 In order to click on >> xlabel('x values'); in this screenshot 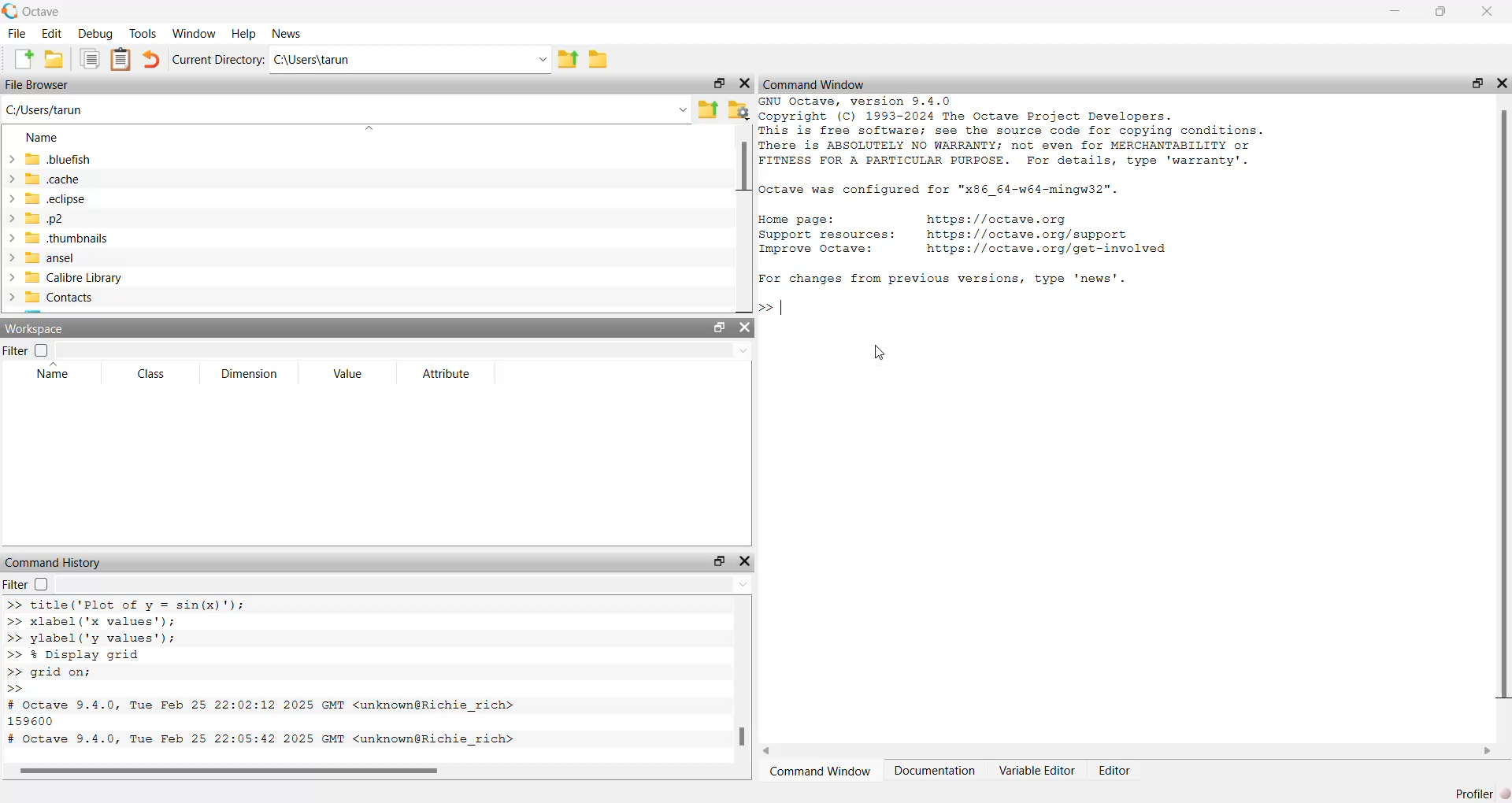, I will do `click(97, 622)`.